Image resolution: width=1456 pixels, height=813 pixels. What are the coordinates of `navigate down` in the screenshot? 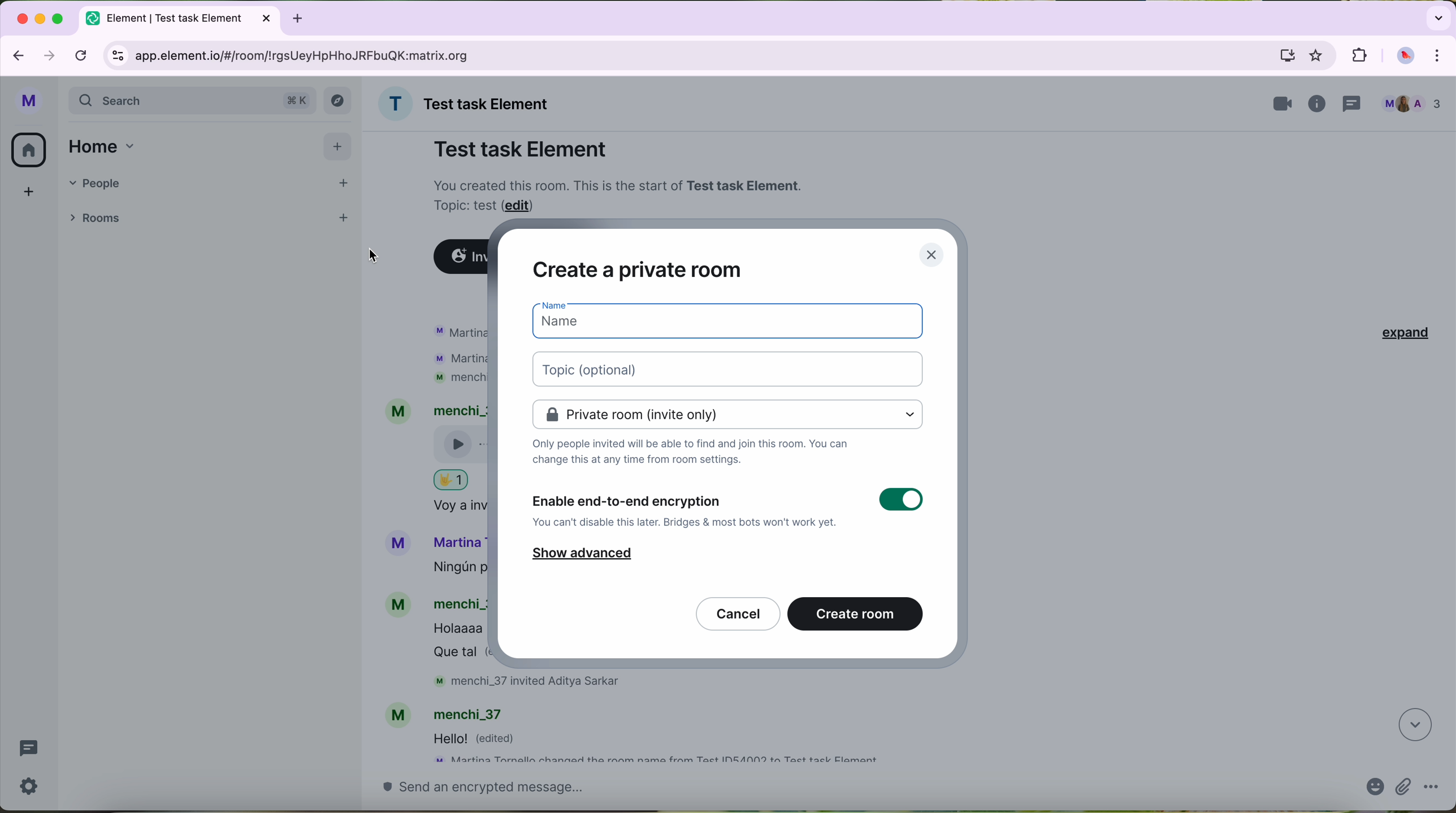 It's located at (1413, 725).